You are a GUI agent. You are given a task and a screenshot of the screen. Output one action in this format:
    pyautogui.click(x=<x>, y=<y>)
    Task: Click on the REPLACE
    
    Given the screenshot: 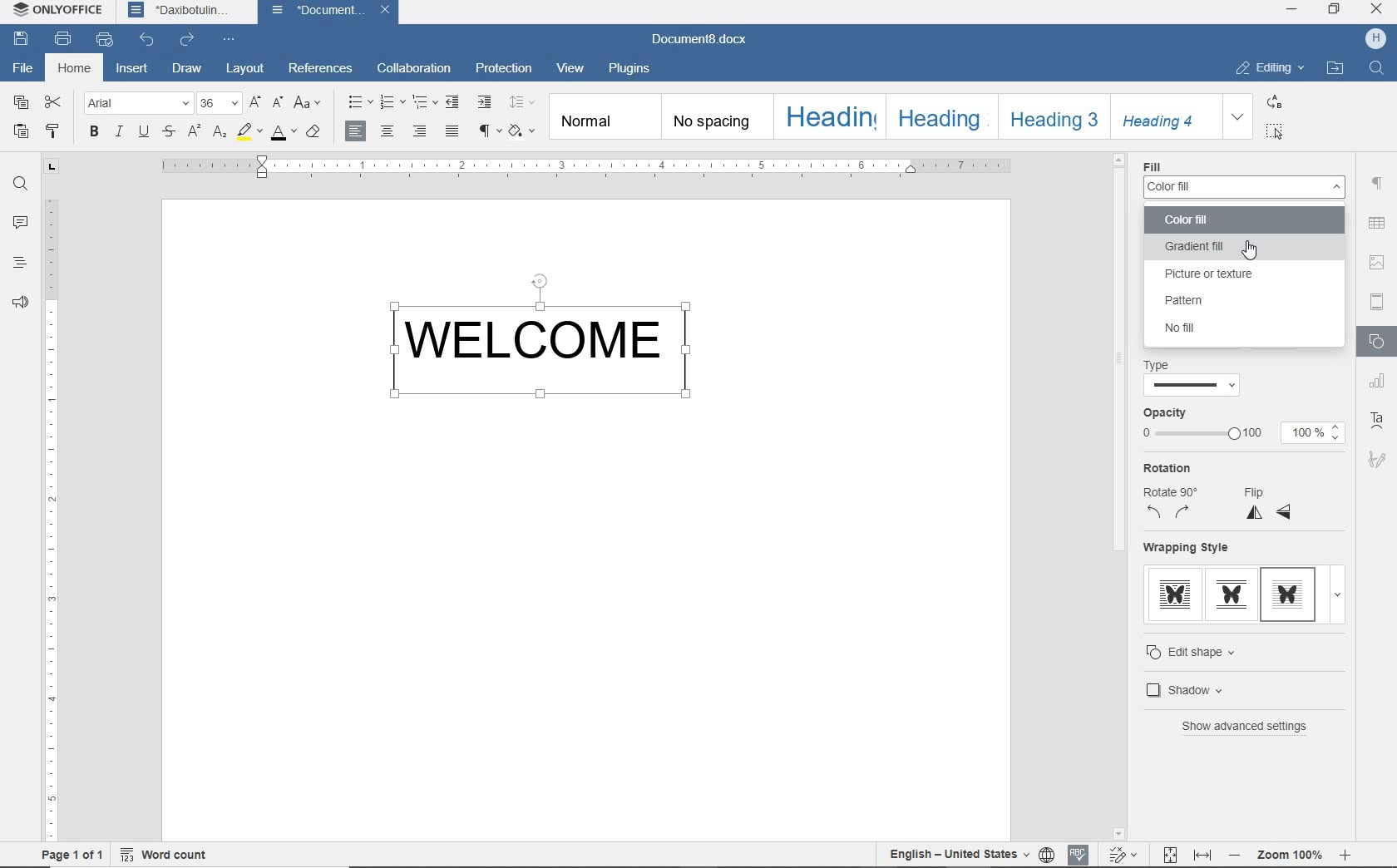 What is the action you would take?
    pyautogui.click(x=1274, y=101)
    